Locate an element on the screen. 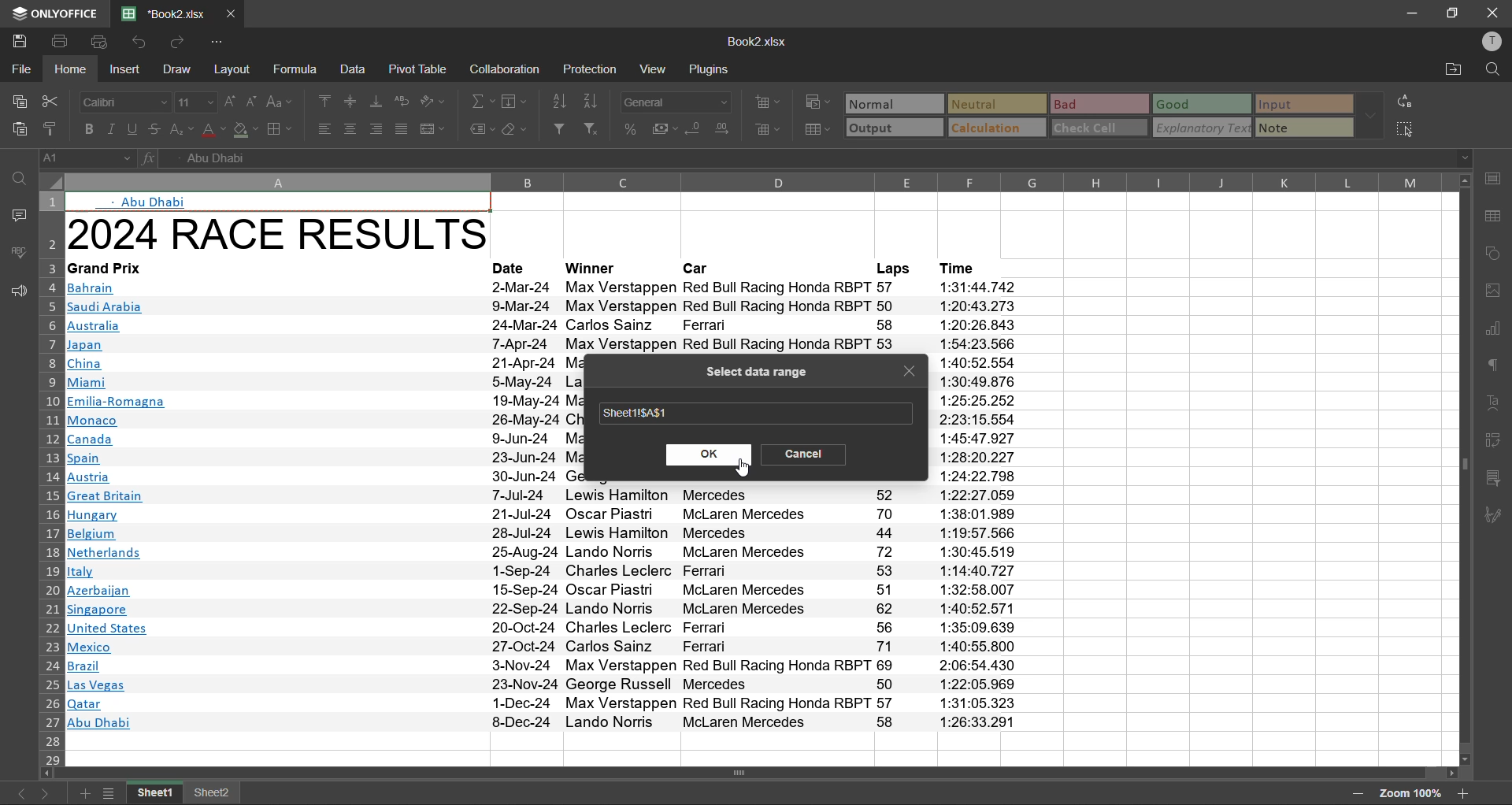  underline is located at coordinates (132, 131).